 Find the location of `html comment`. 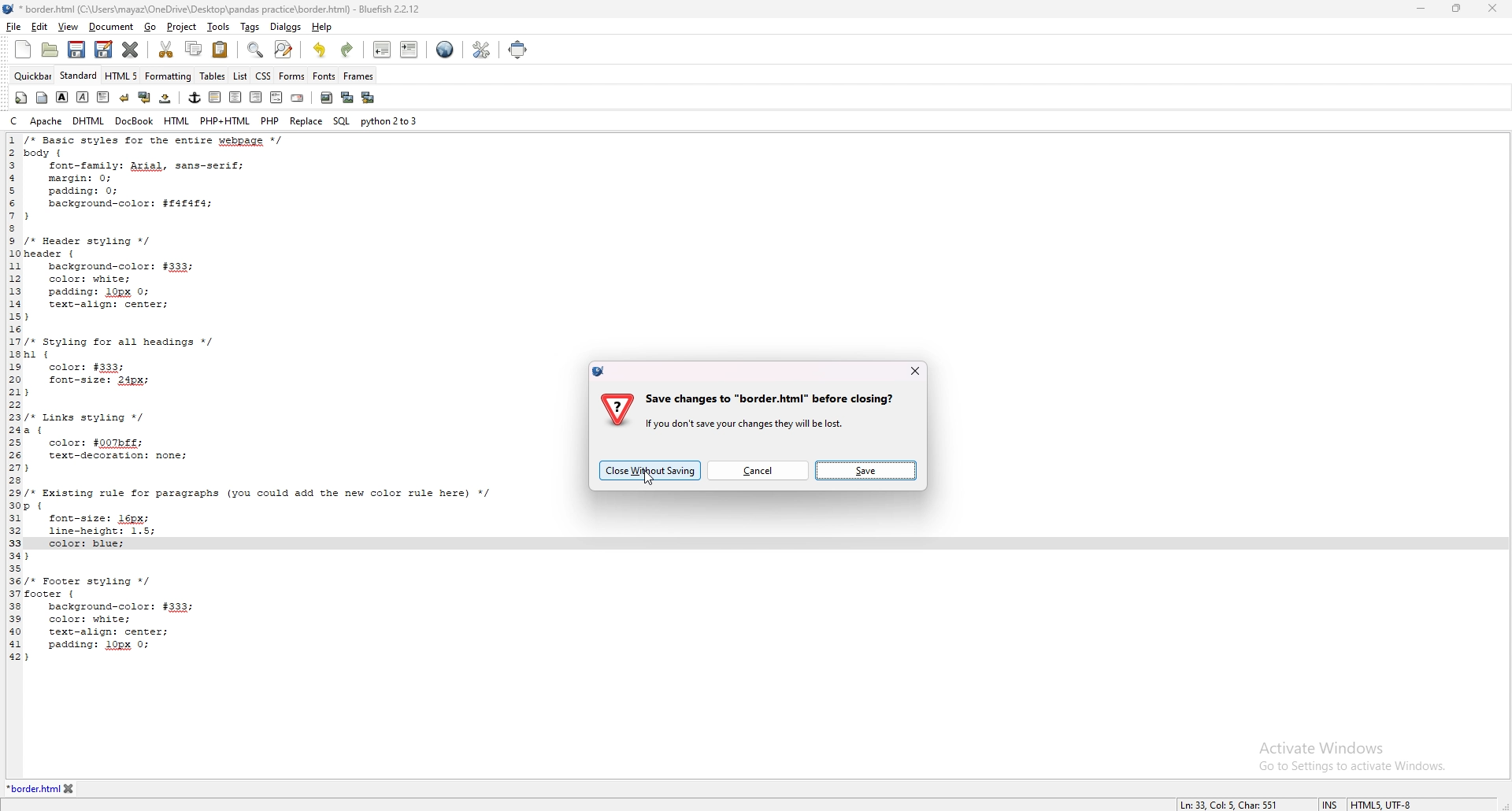

html comment is located at coordinates (277, 98).